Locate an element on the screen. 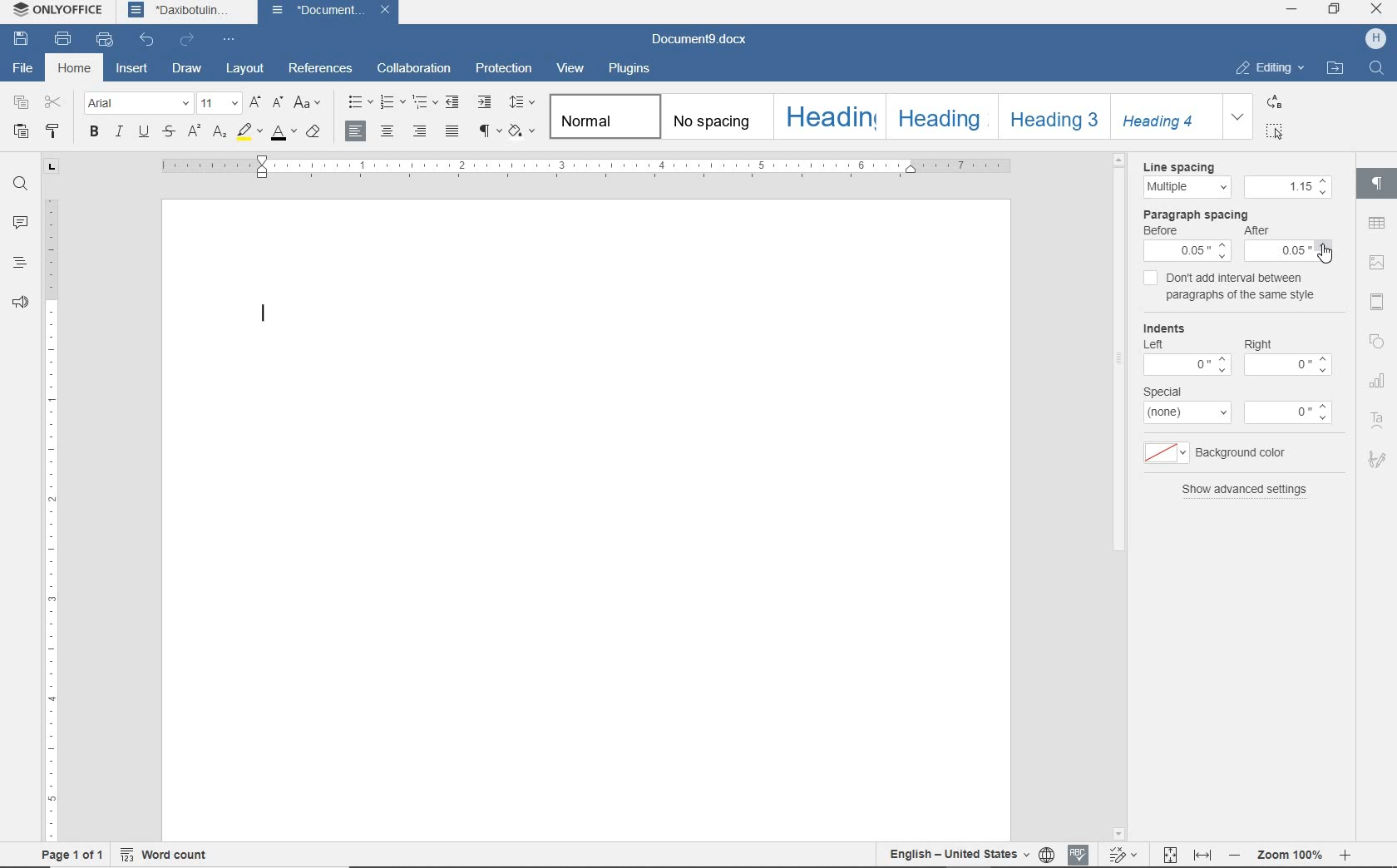 The height and width of the screenshot is (868, 1397). Daxibotulin... is located at coordinates (188, 11).